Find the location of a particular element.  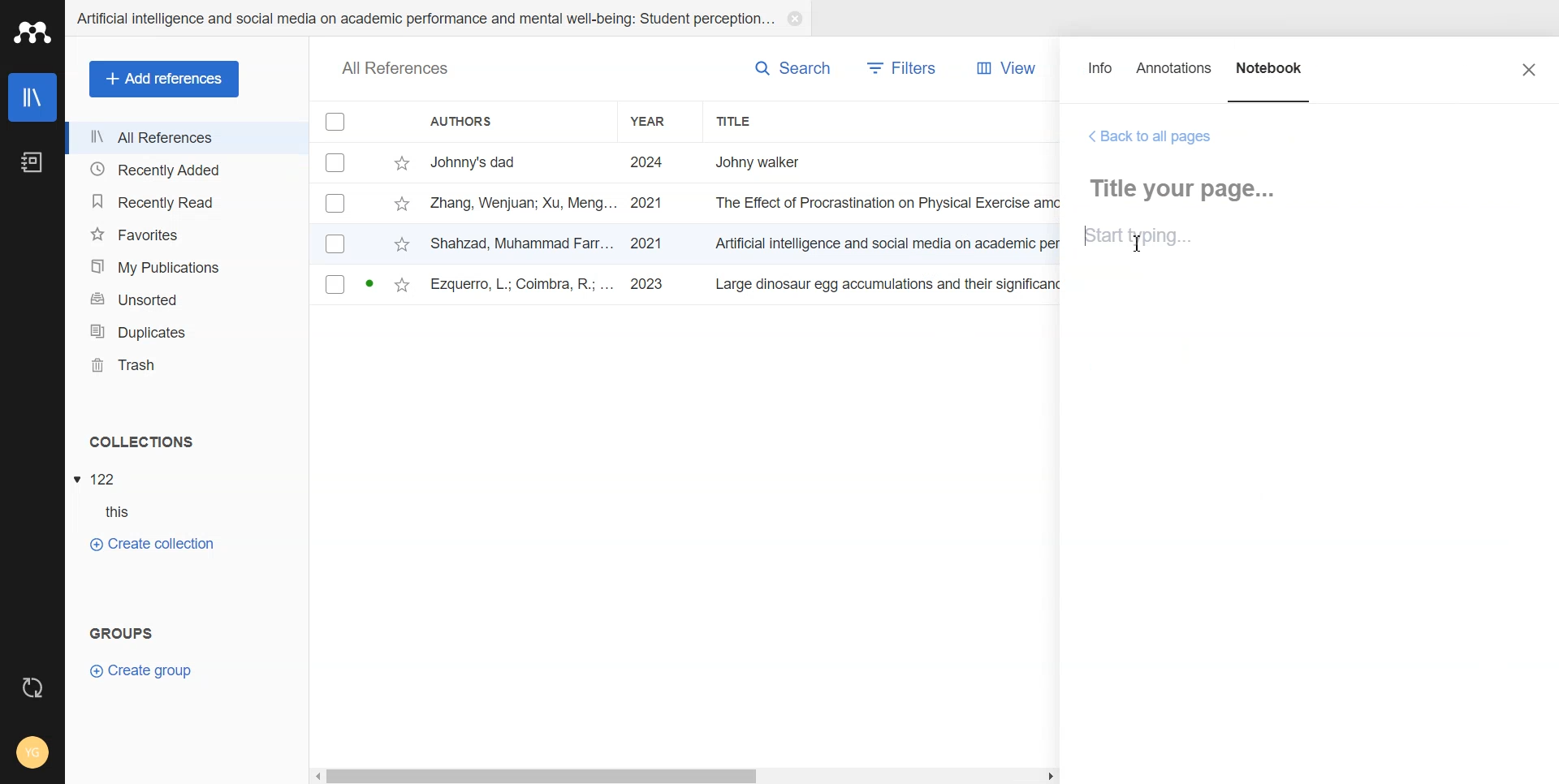

groups is located at coordinates (123, 631).